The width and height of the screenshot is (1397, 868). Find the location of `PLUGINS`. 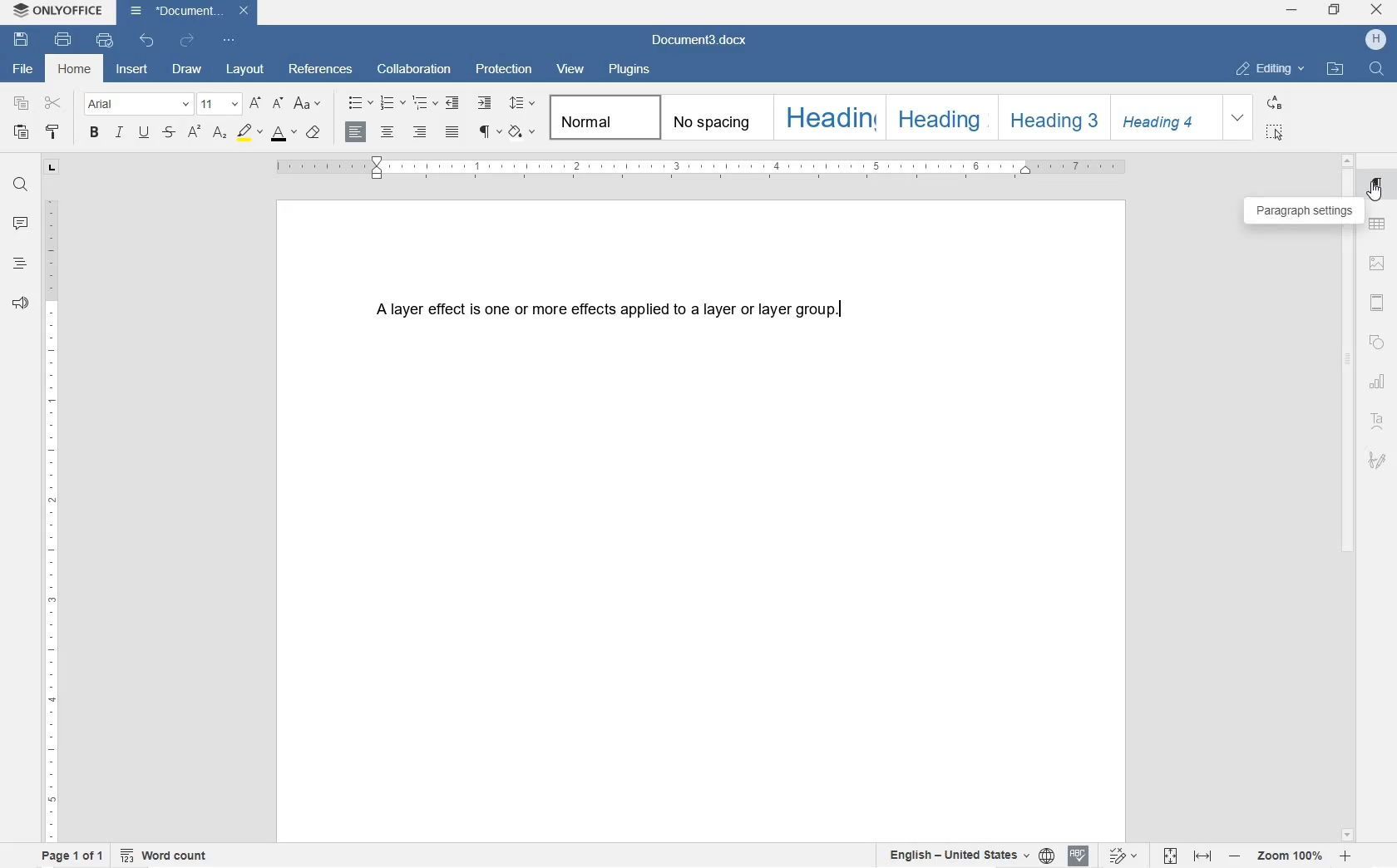

PLUGINS is located at coordinates (628, 70).